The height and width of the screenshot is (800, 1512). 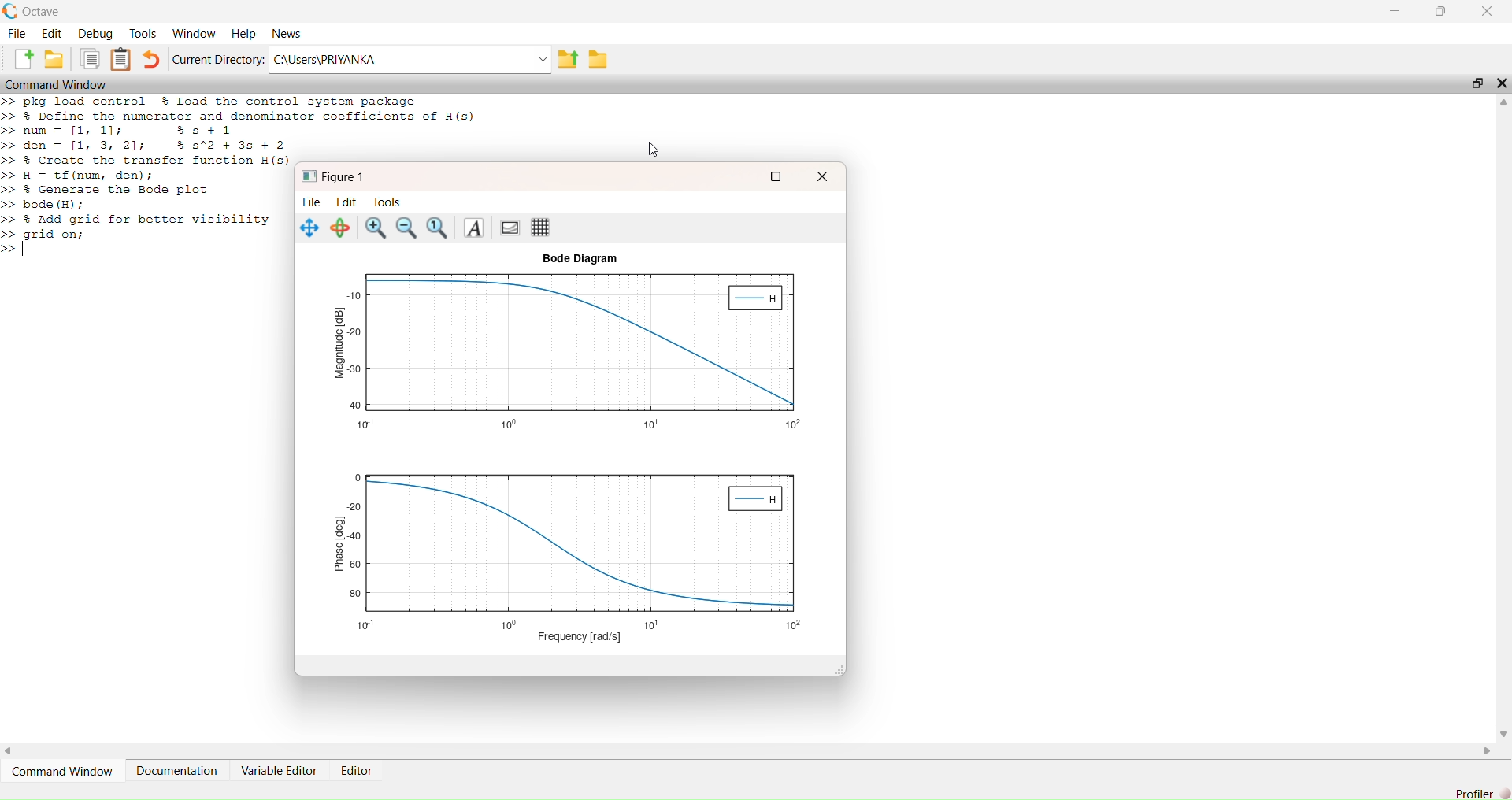 What do you see at coordinates (309, 228) in the screenshot?
I see `Pan` at bounding box center [309, 228].